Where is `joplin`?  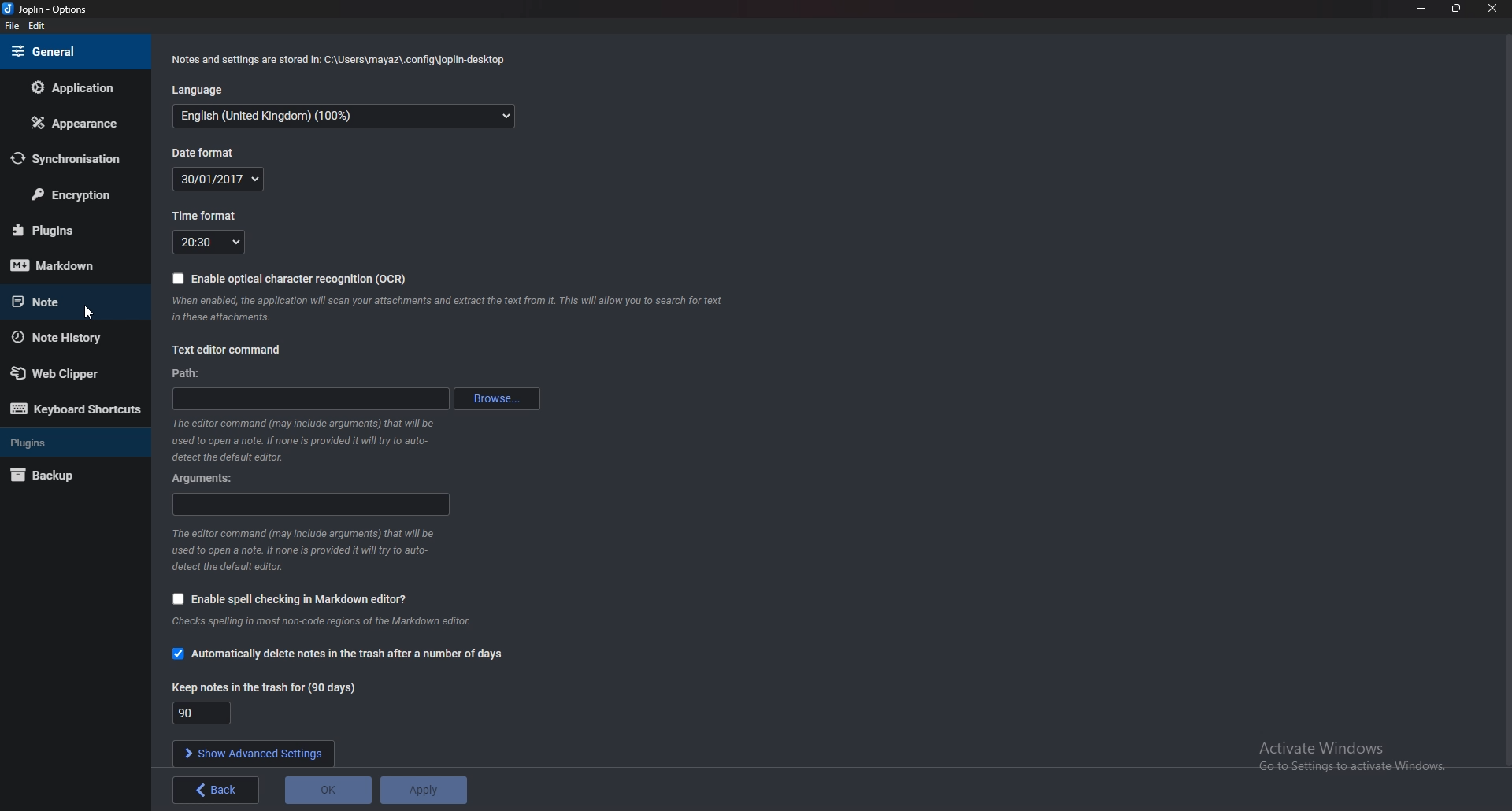 joplin is located at coordinates (48, 9).